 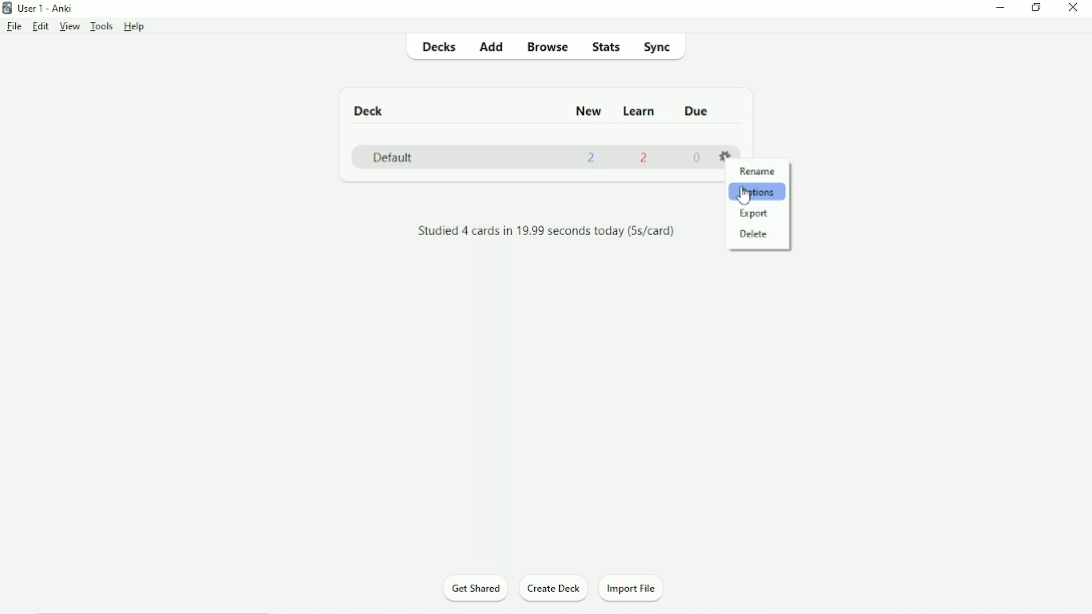 I want to click on Default, so click(x=392, y=157).